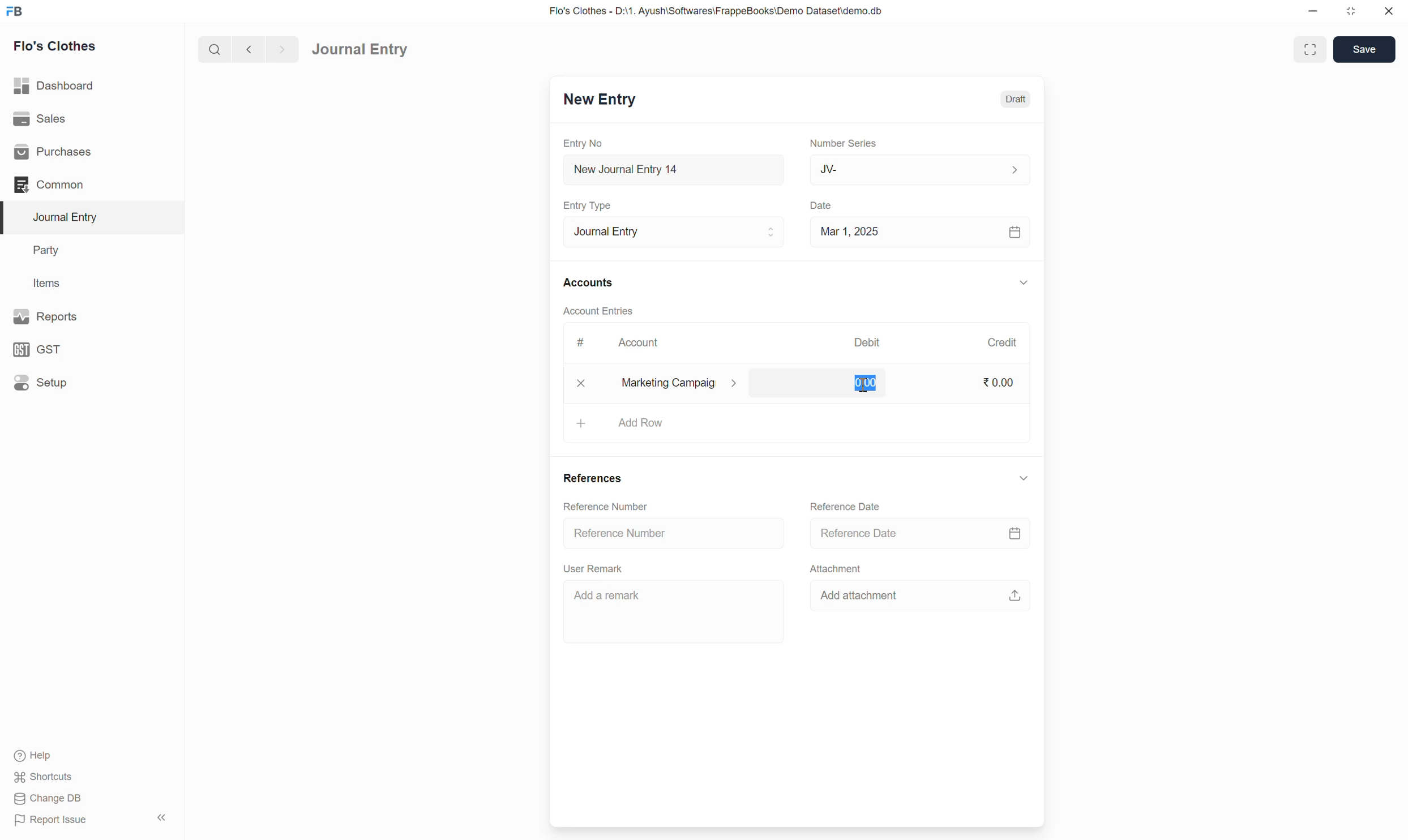  I want to click on forward, so click(280, 50).